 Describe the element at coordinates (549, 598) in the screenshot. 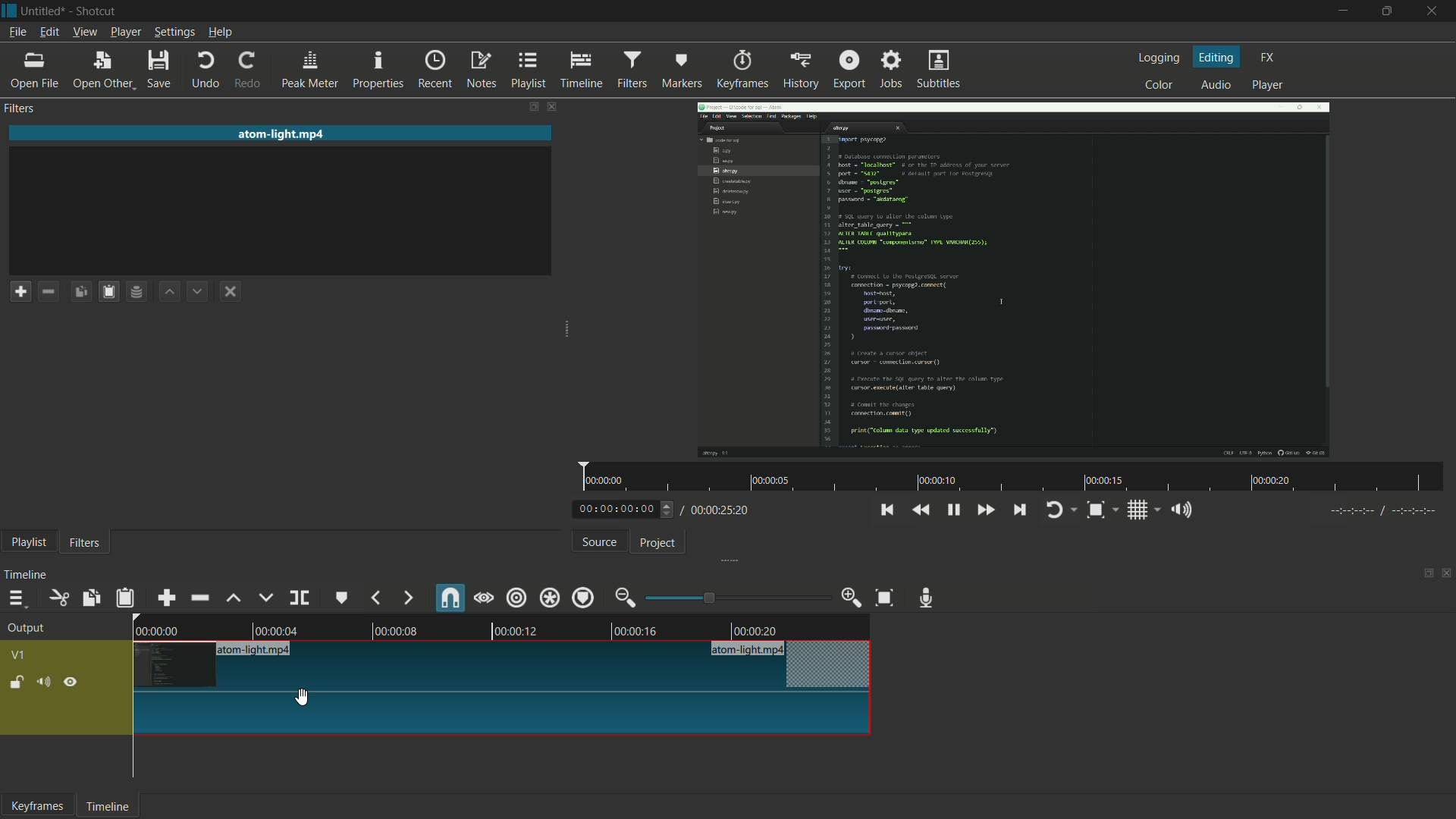

I see `ripple all tracks` at that location.